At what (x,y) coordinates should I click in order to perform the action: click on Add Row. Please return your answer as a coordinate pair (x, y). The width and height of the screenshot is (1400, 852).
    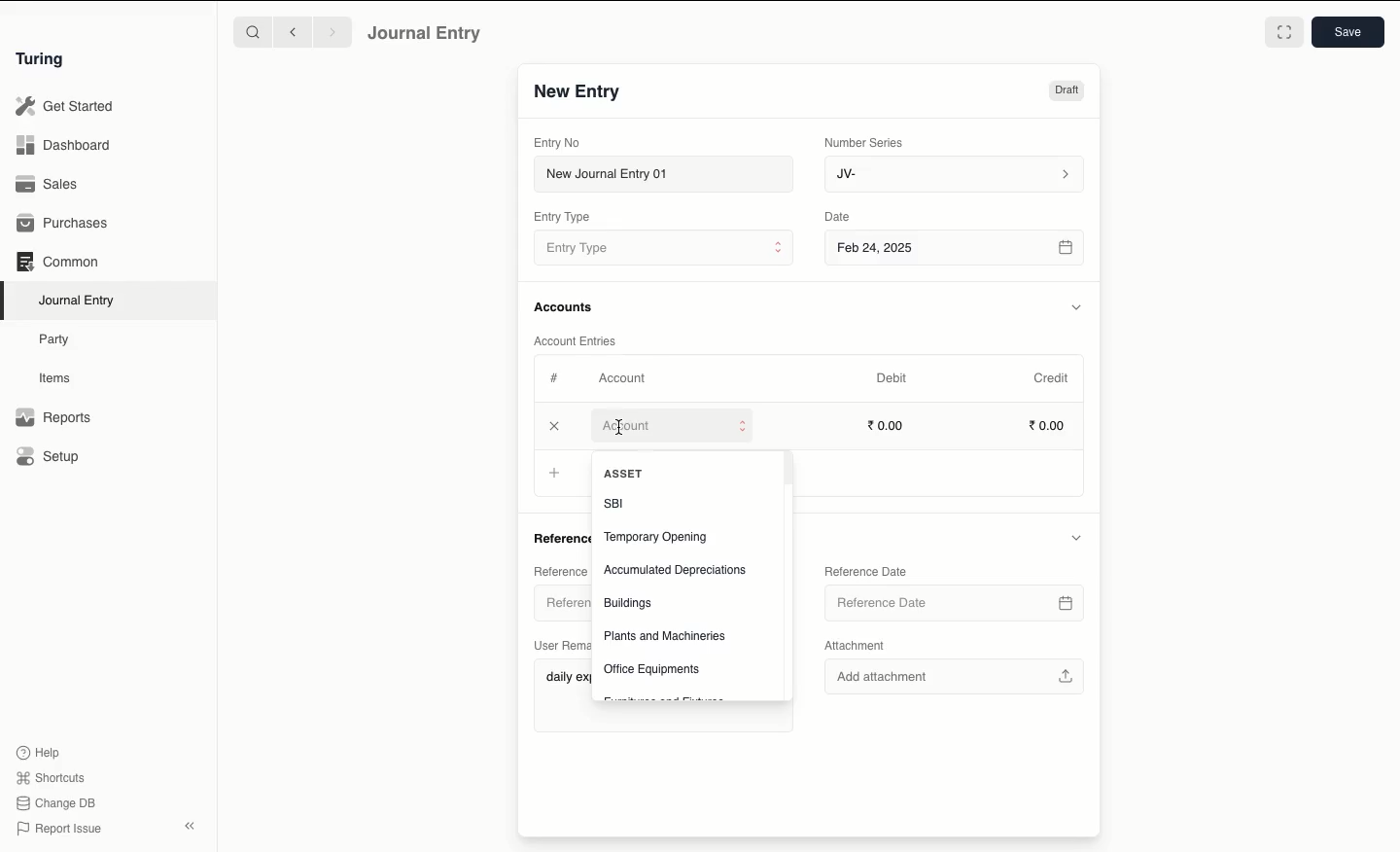
    Looking at the image, I should click on (626, 427).